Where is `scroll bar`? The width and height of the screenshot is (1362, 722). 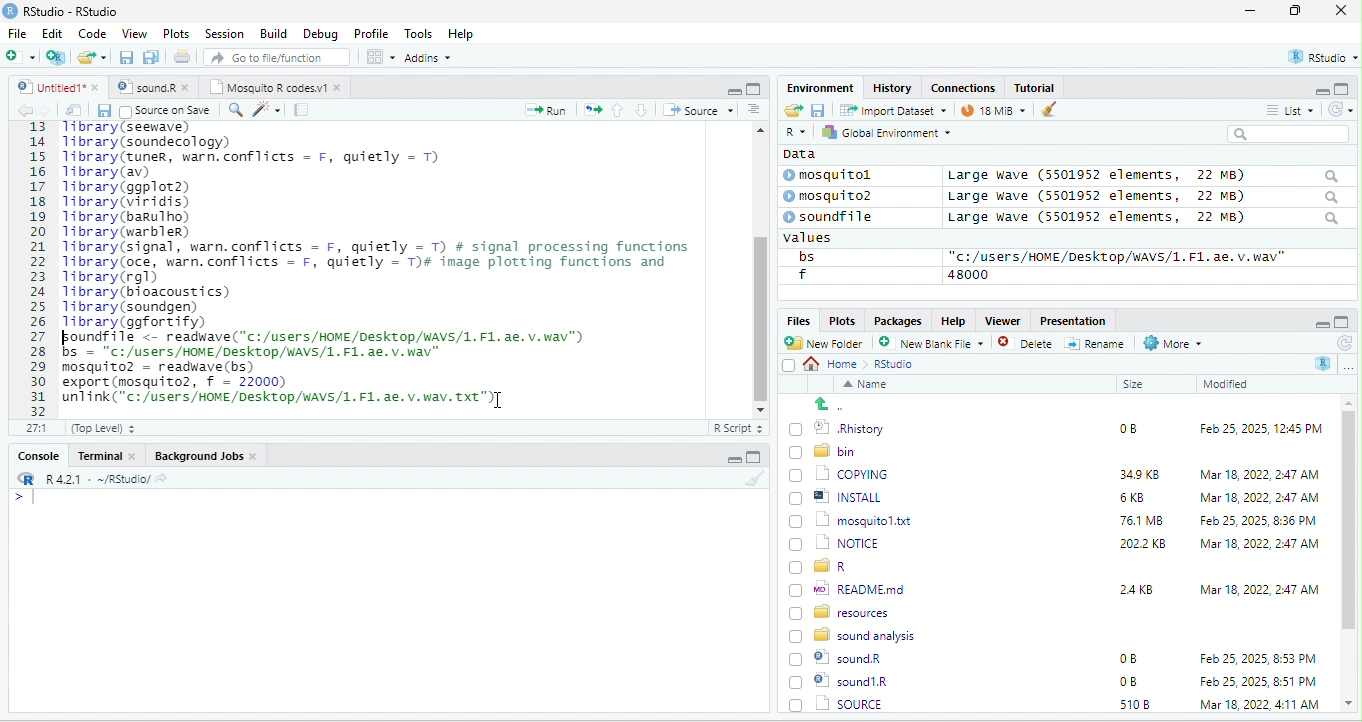 scroll bar is located at coordinates (759, 267).